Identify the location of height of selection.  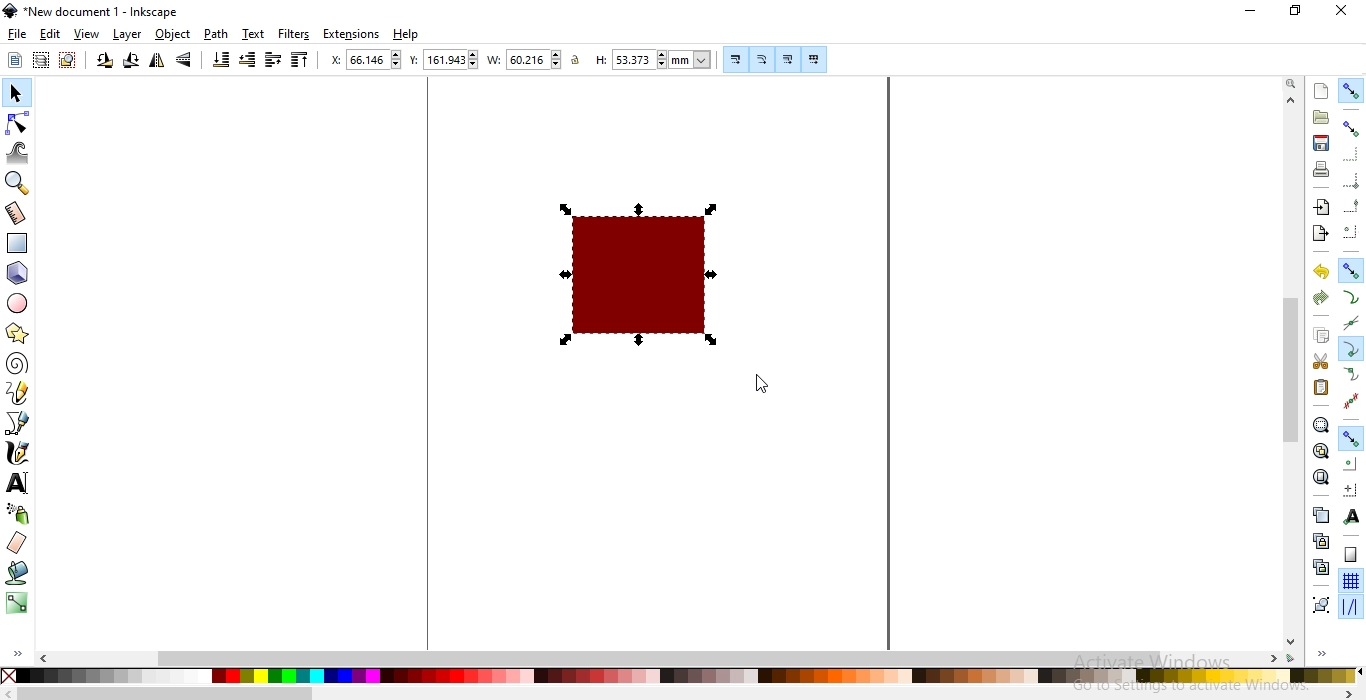
(598, 60).